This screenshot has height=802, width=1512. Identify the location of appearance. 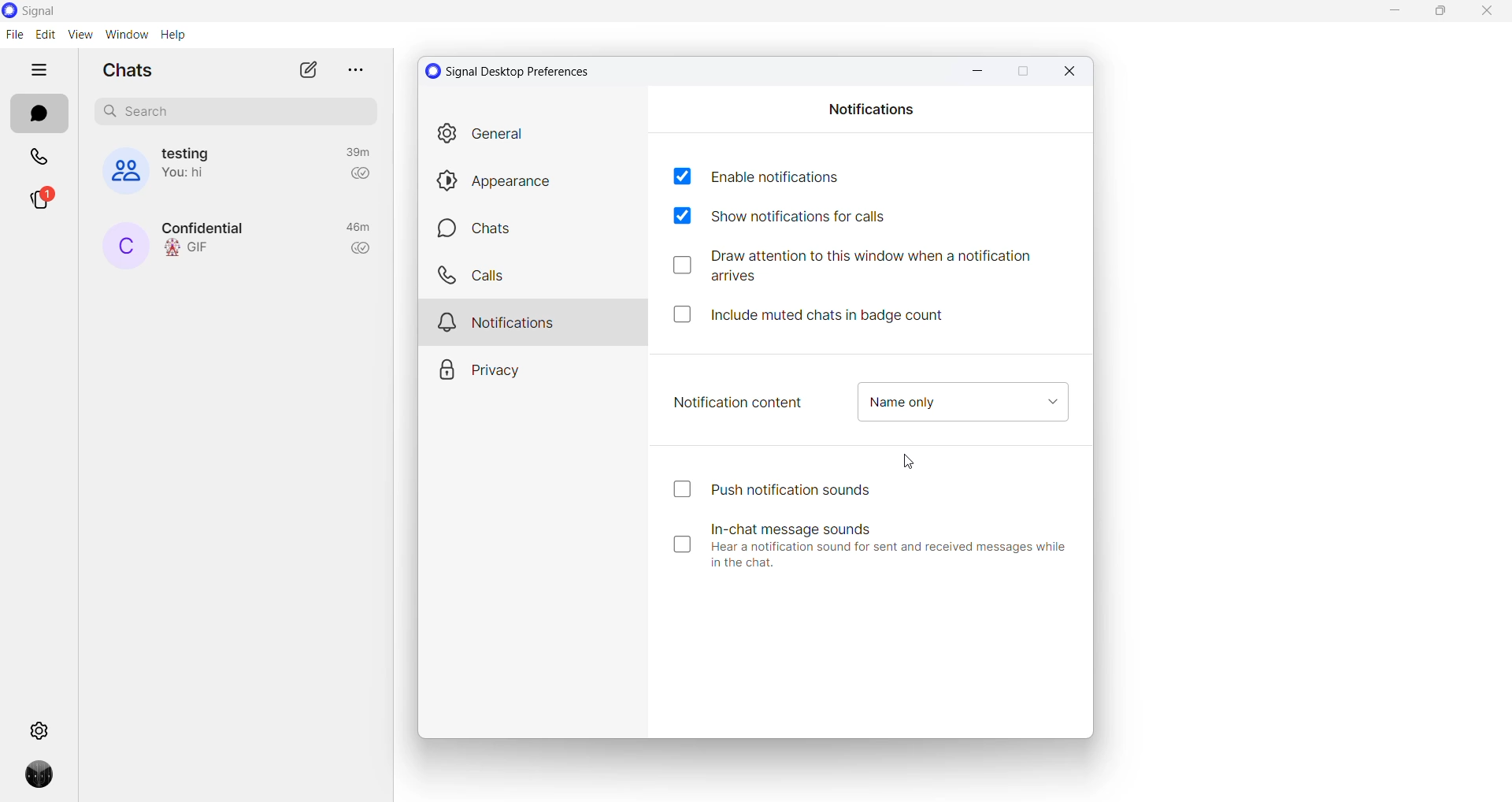
(537, 180).